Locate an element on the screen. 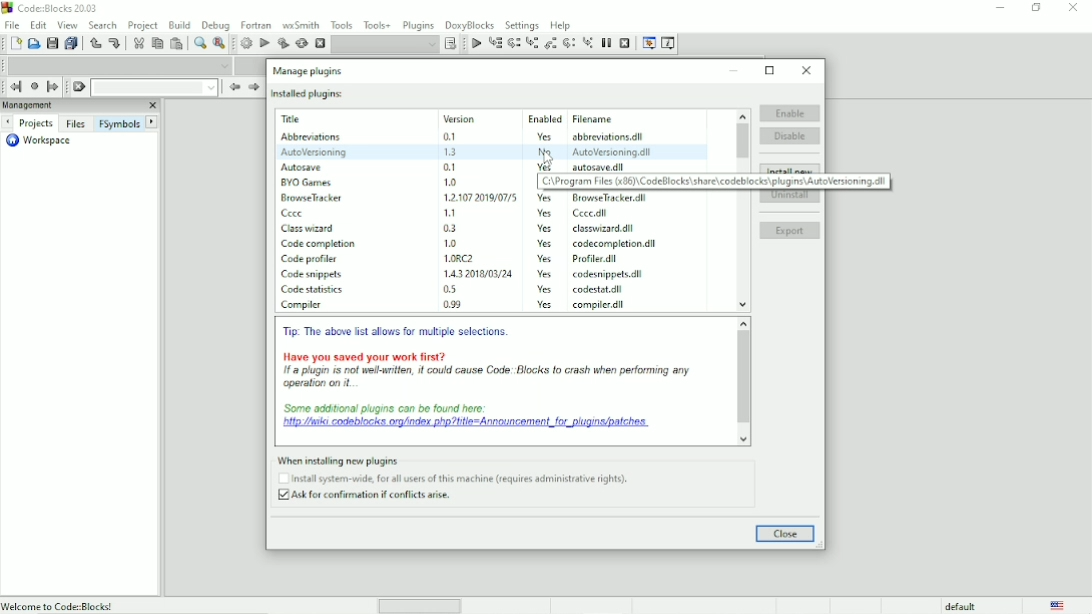 The image size is (1092, 614). file is located at coordinates (616, 137).